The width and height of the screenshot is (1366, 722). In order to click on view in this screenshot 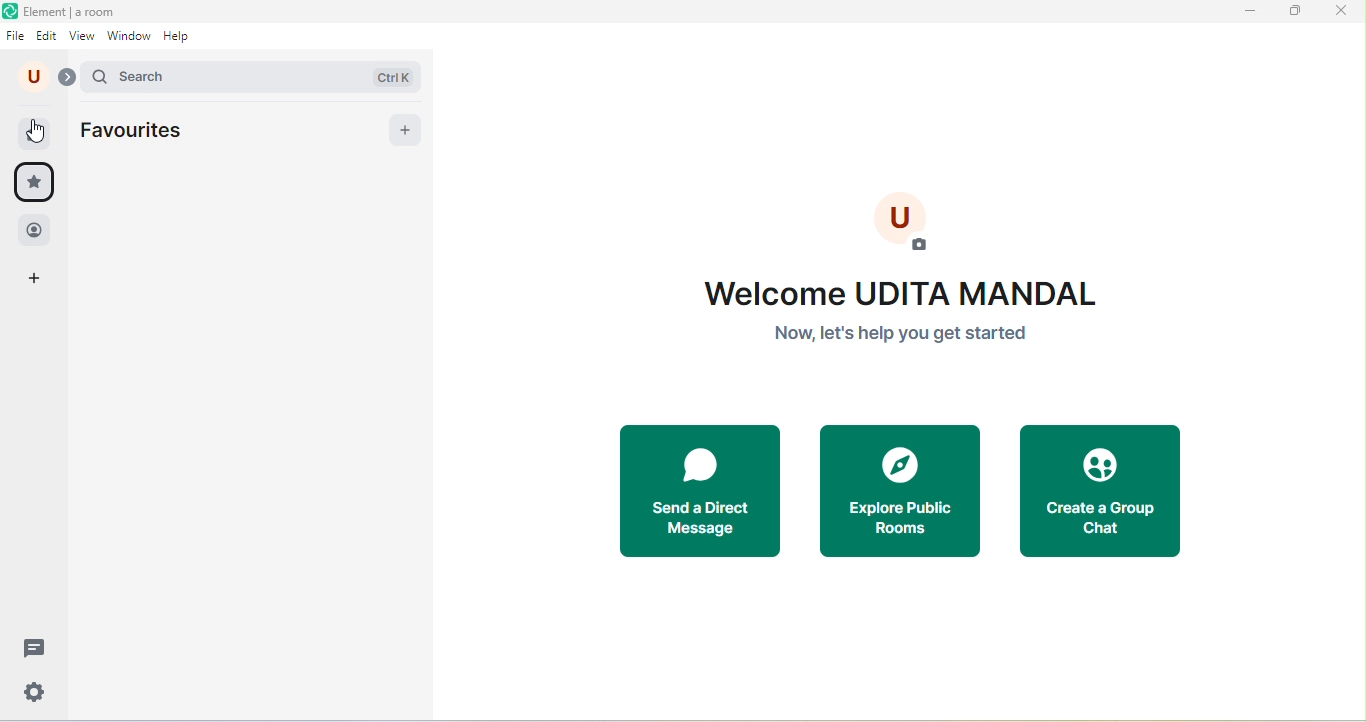, I will do `click(82, 39)`.